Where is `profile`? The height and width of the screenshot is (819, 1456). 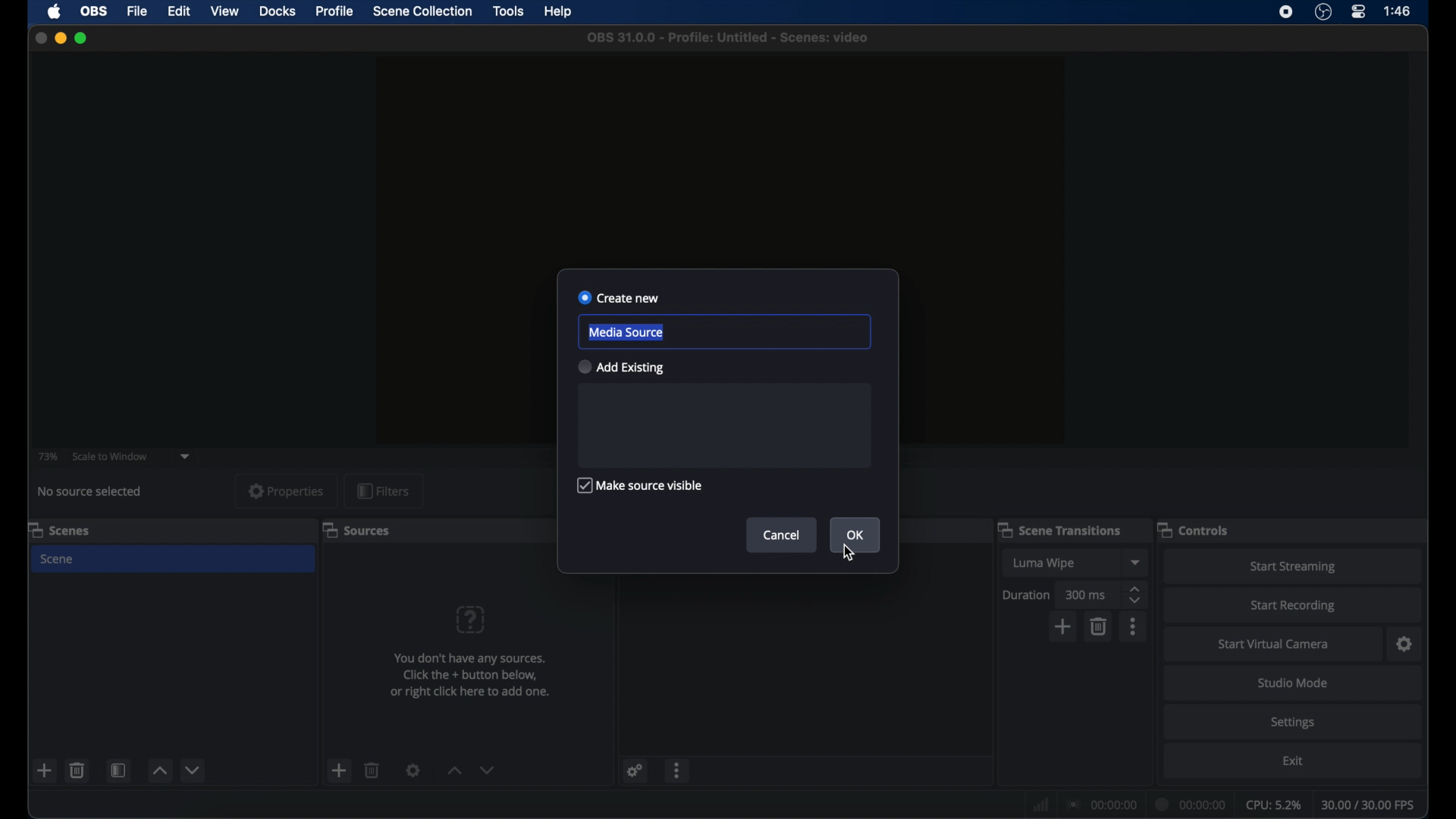 profile is located at coordinates (335, 11).